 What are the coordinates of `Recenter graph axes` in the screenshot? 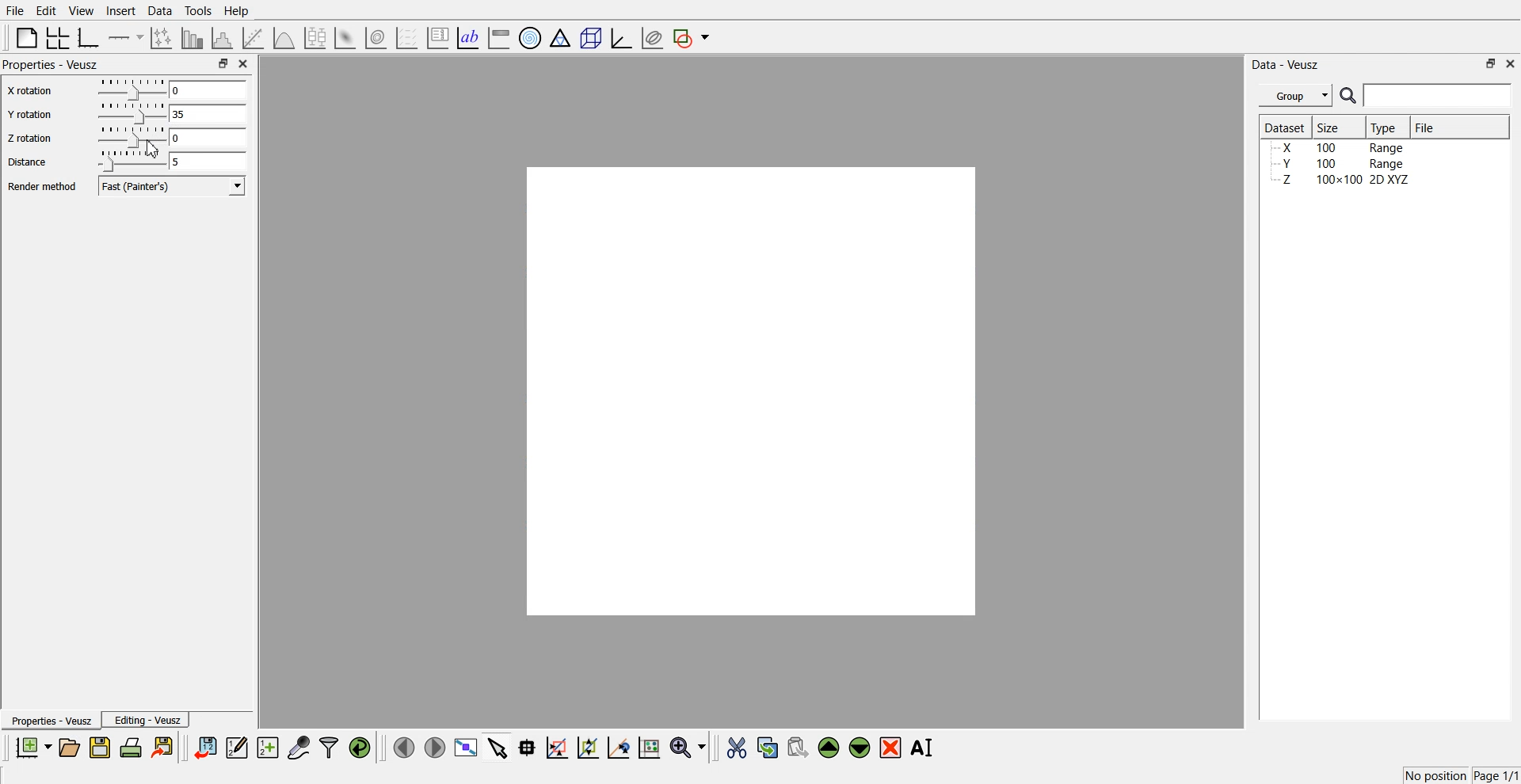 It's located at (619, 747).